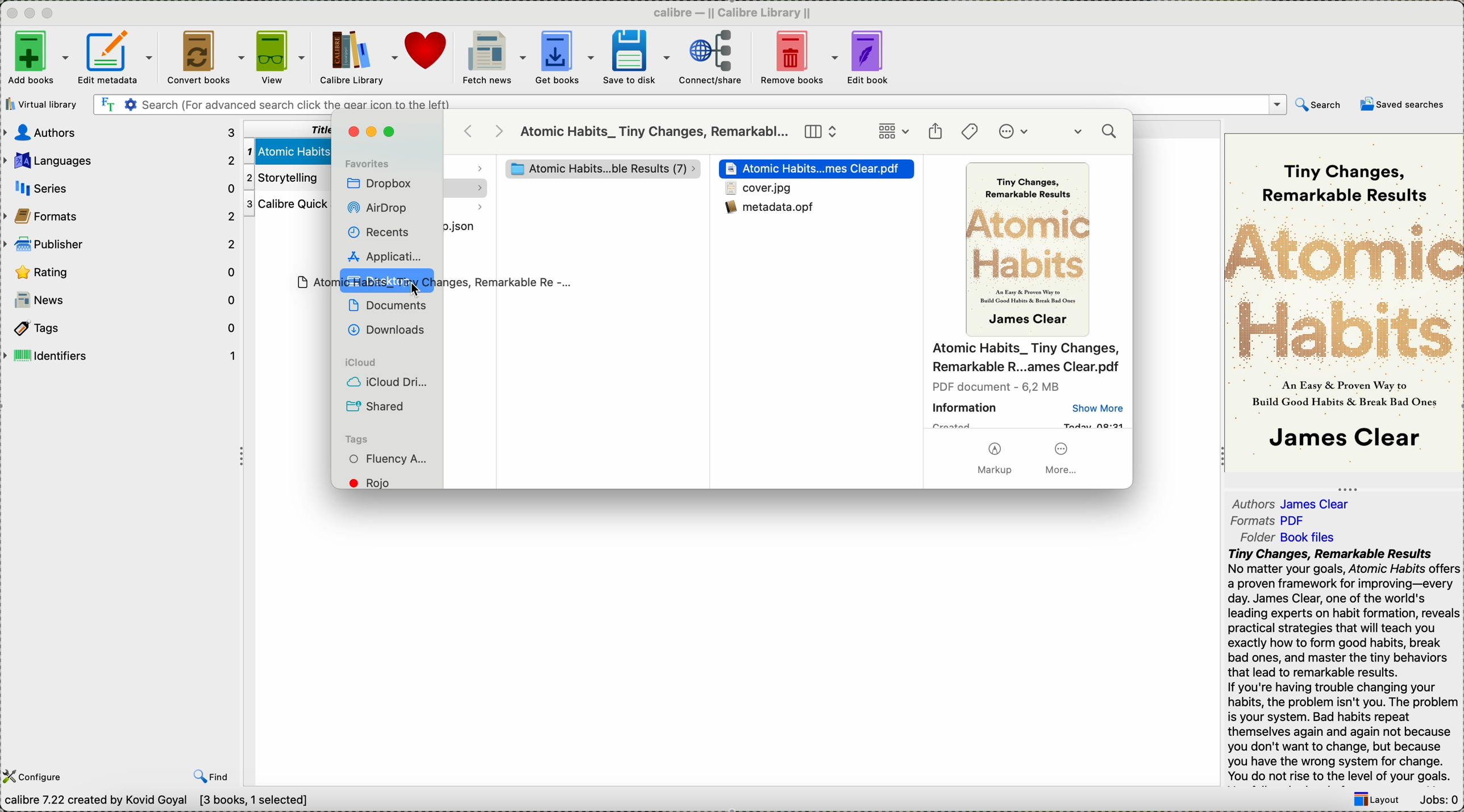 Image resolution: width=1464 pixels, height=812 pixels. What do you see at coordinates (1437, 801) in the screenshot?
I see `Jobs: 0` at bounding box center [1437, 801].